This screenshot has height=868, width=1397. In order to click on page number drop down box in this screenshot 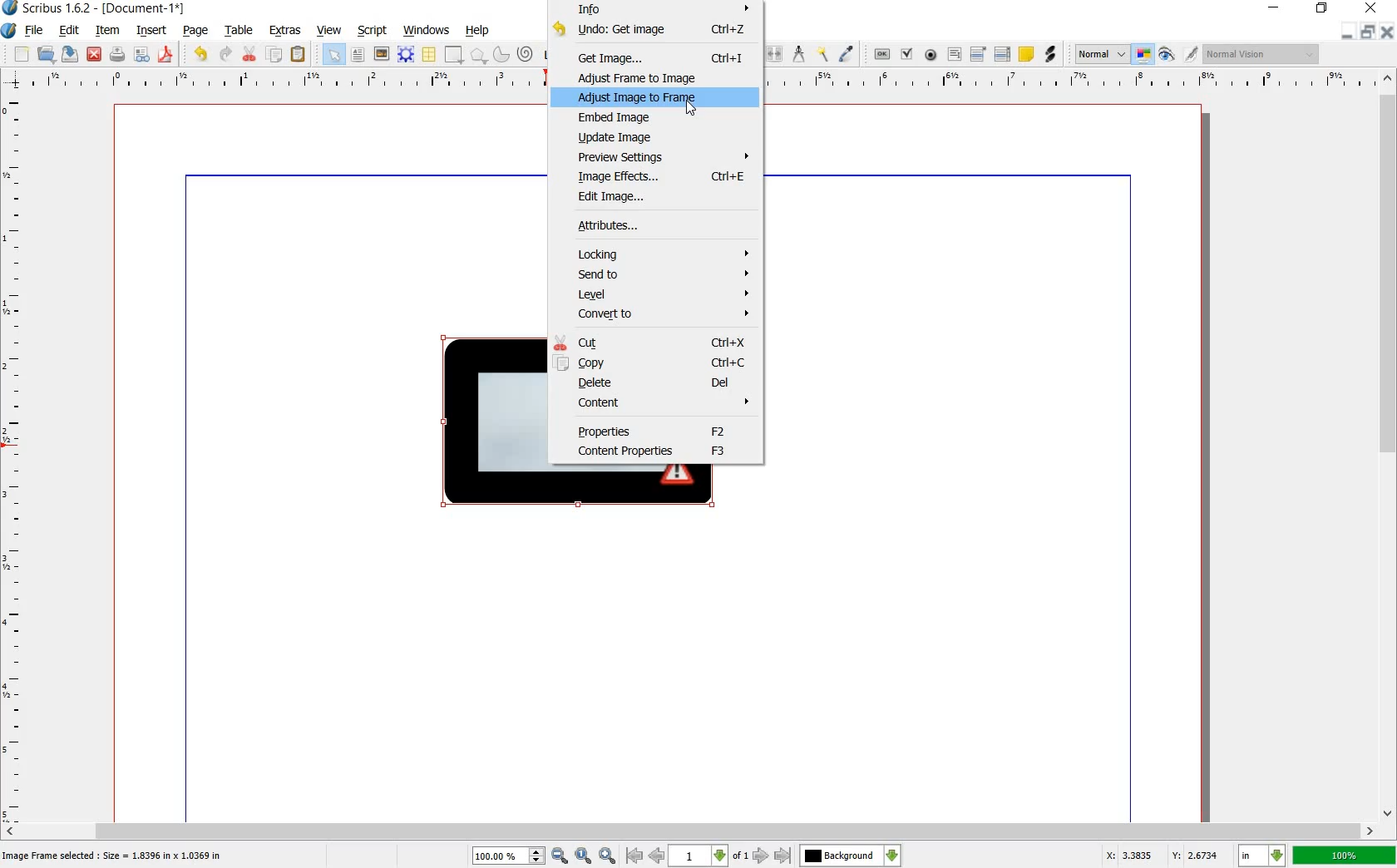, I will do `click(708, 854)`.